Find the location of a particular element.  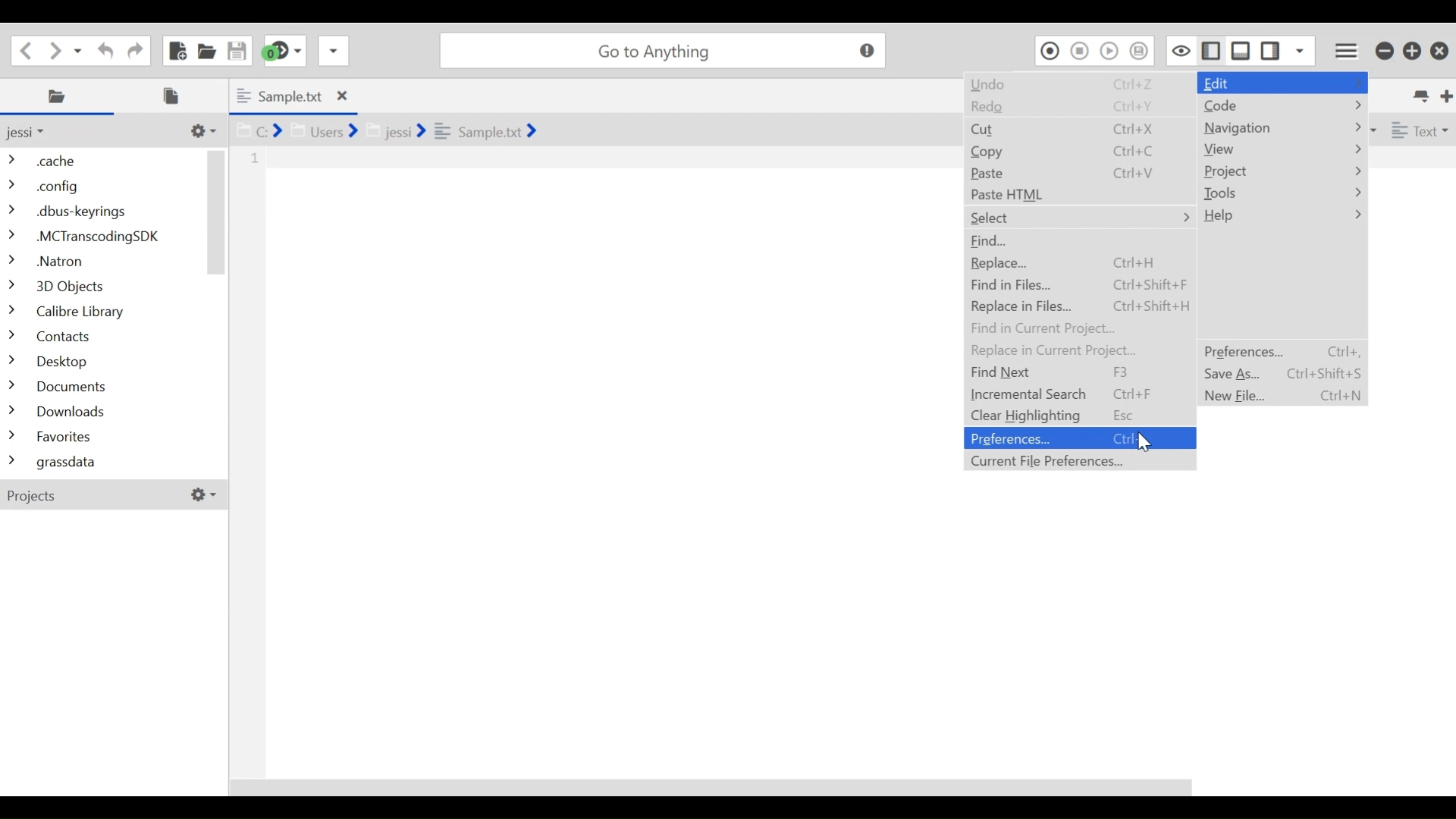

Show in location is located at coordinates (384, 129).